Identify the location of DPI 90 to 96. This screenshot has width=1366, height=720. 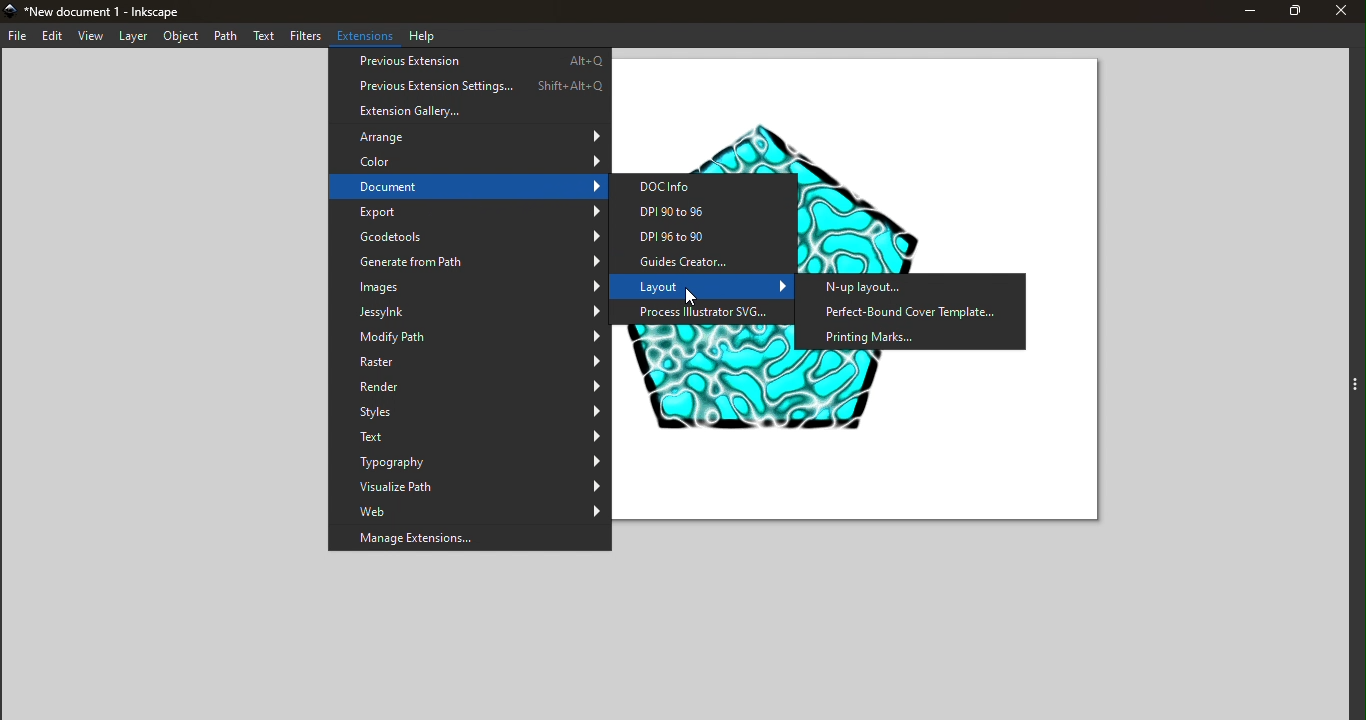
(710, 214).